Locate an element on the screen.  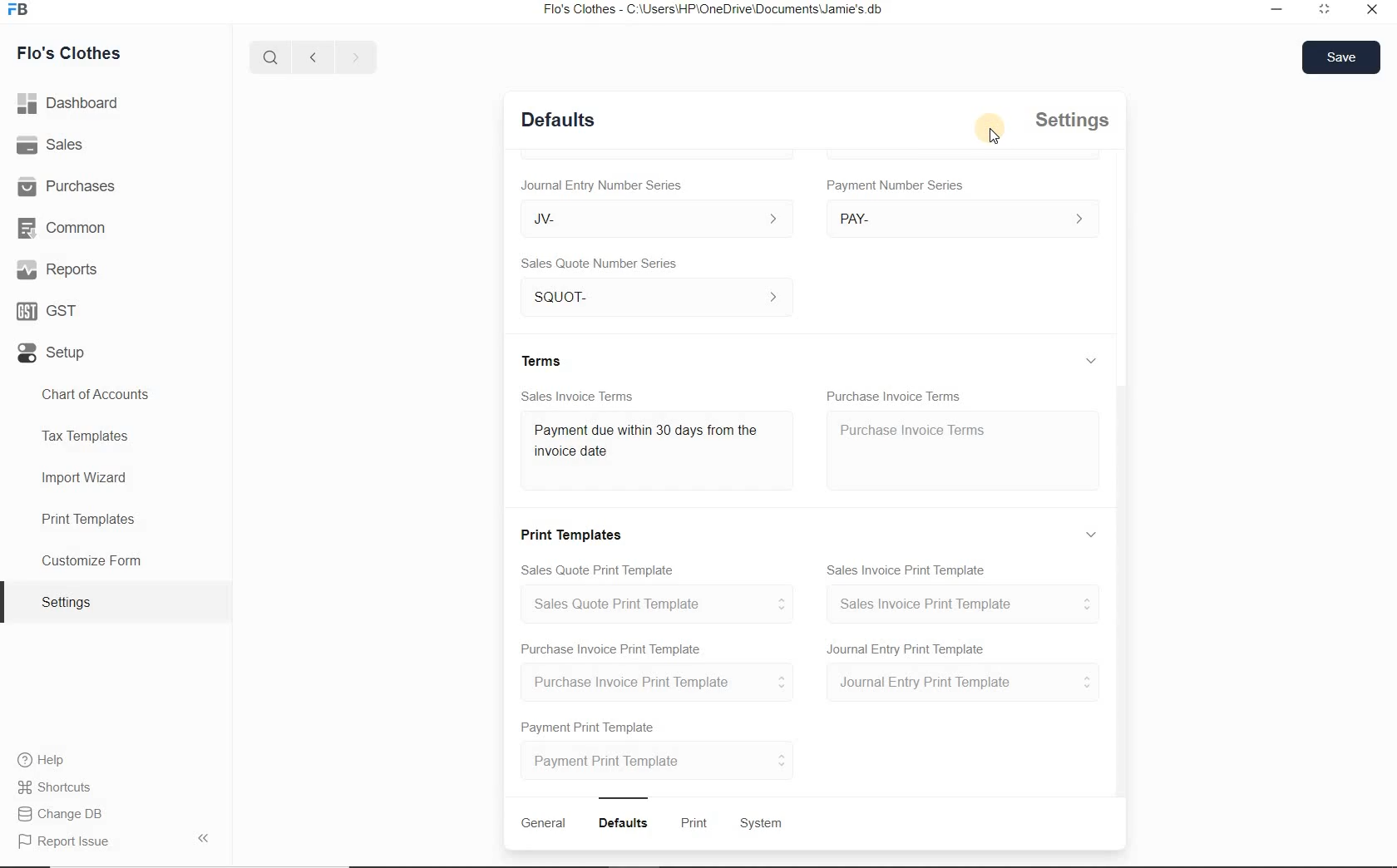
General is located at coordinates (543, 822).